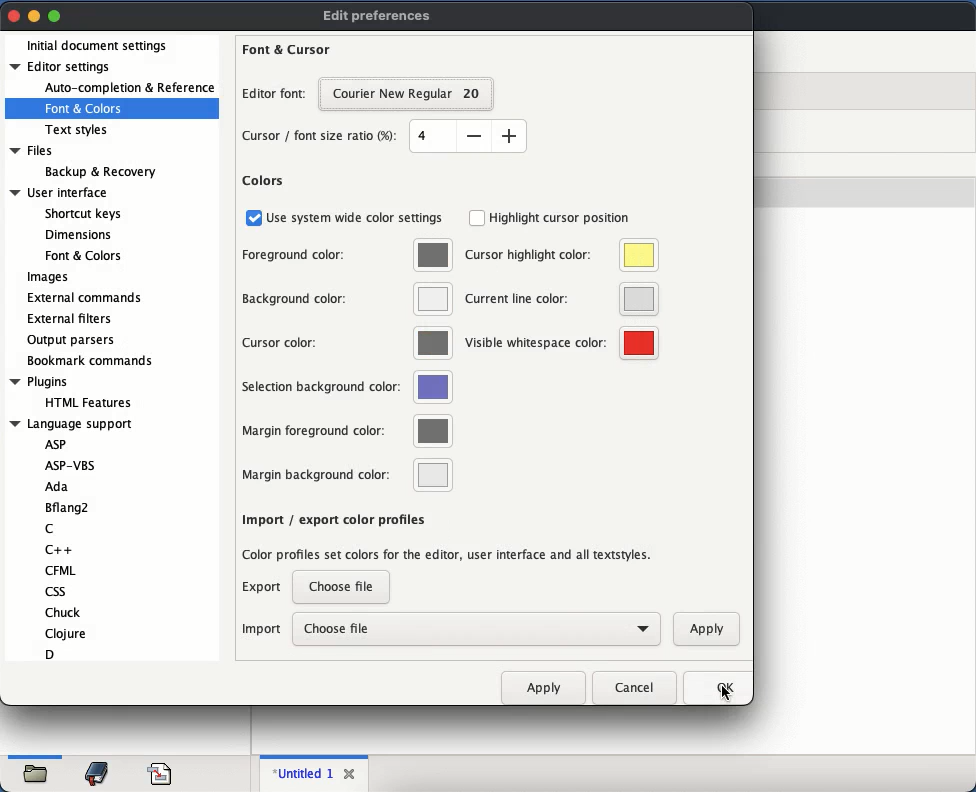 This screenshot has height=792, width=976. I want to click on ASP-VBS, so click(71, 463).